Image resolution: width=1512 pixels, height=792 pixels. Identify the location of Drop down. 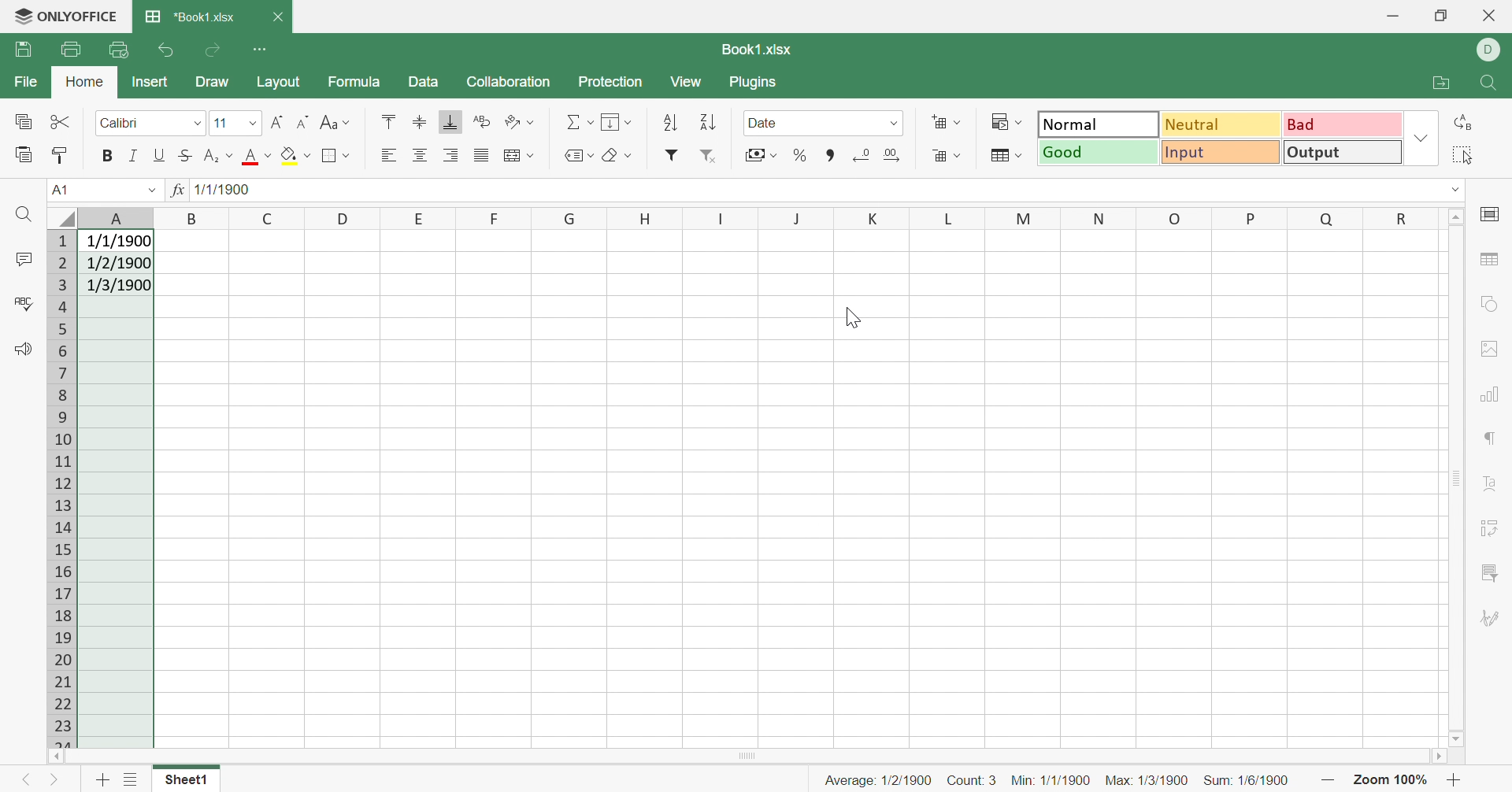
(1456, 191).